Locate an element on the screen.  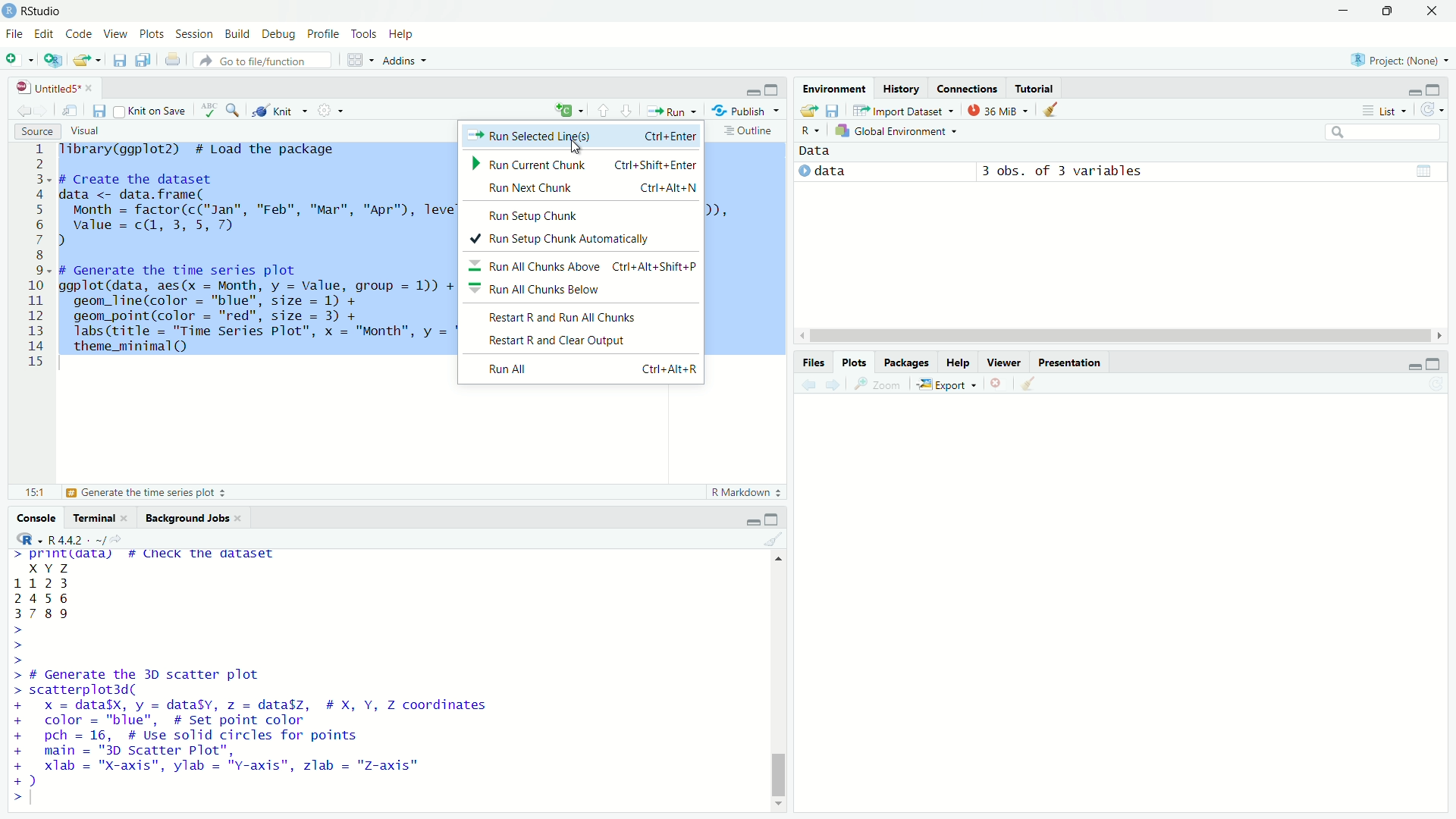
move top is located at coordinates (775, 560).